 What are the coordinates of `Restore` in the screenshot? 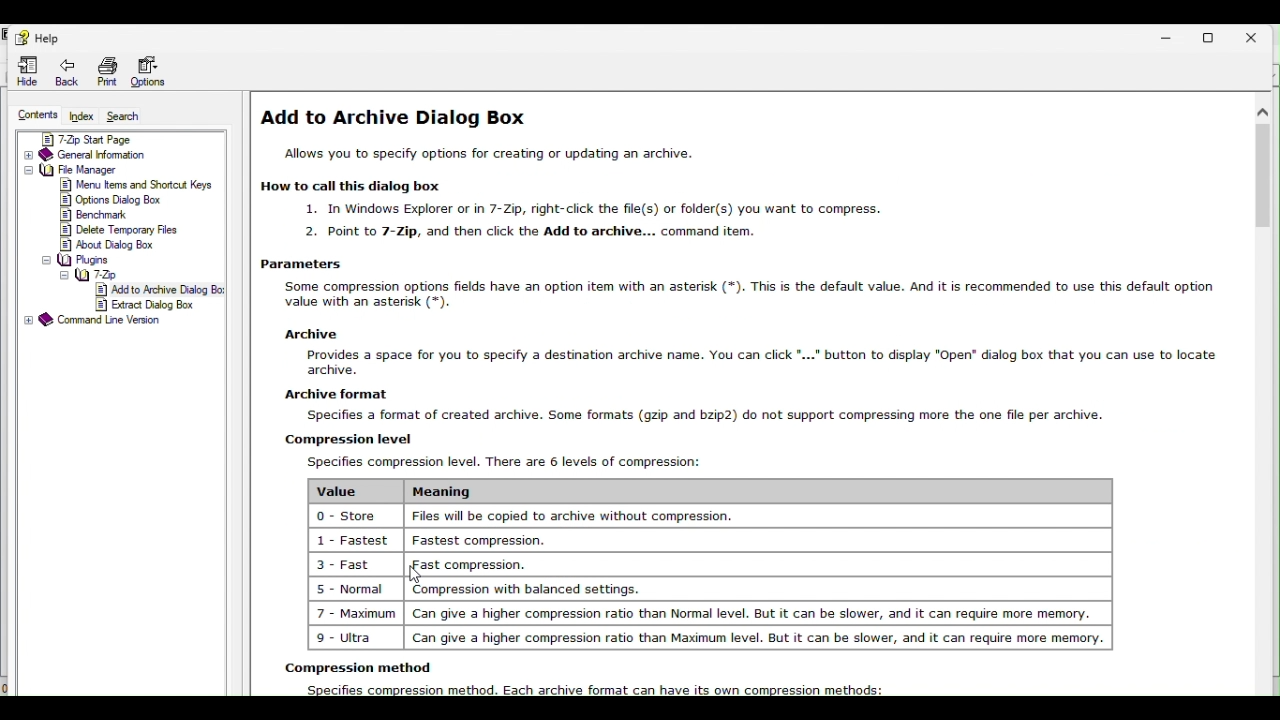 It's located at (1215, 33).